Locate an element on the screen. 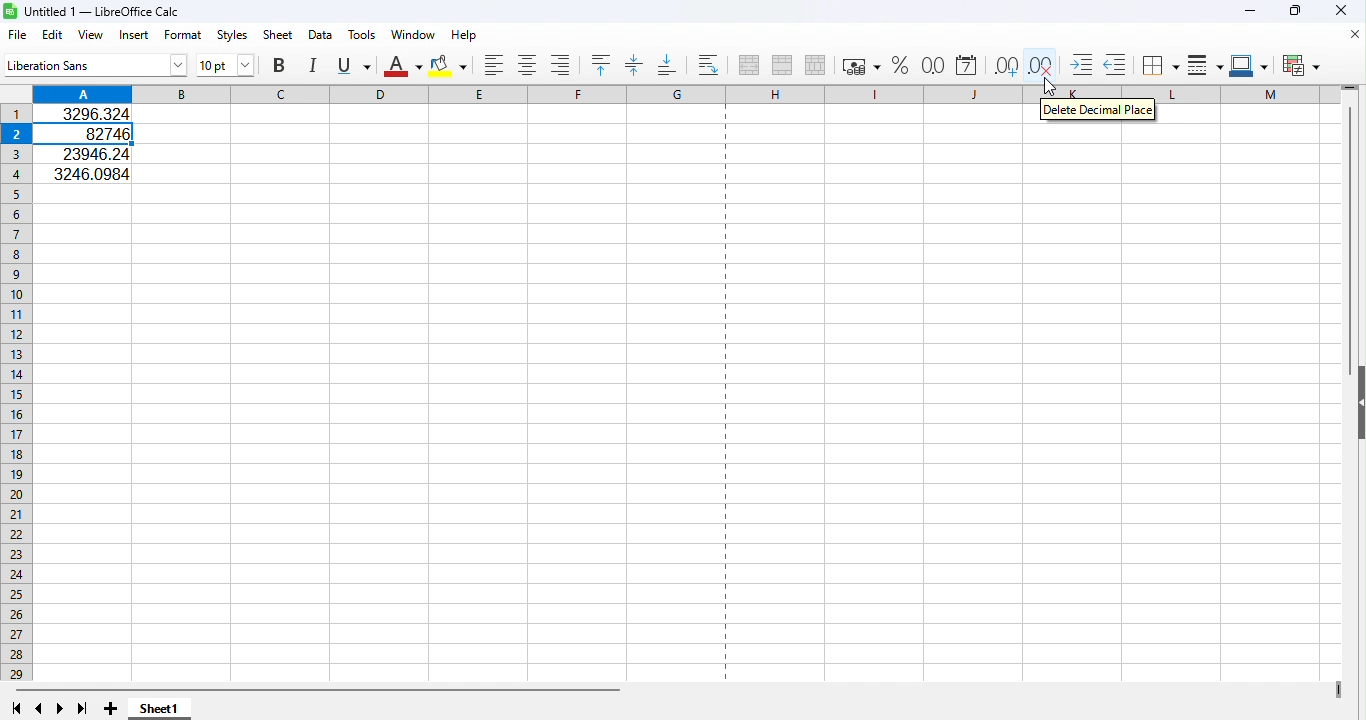 The width and height of the screenshot is (1366, 720). Underline is located at coordinates (353, 67).